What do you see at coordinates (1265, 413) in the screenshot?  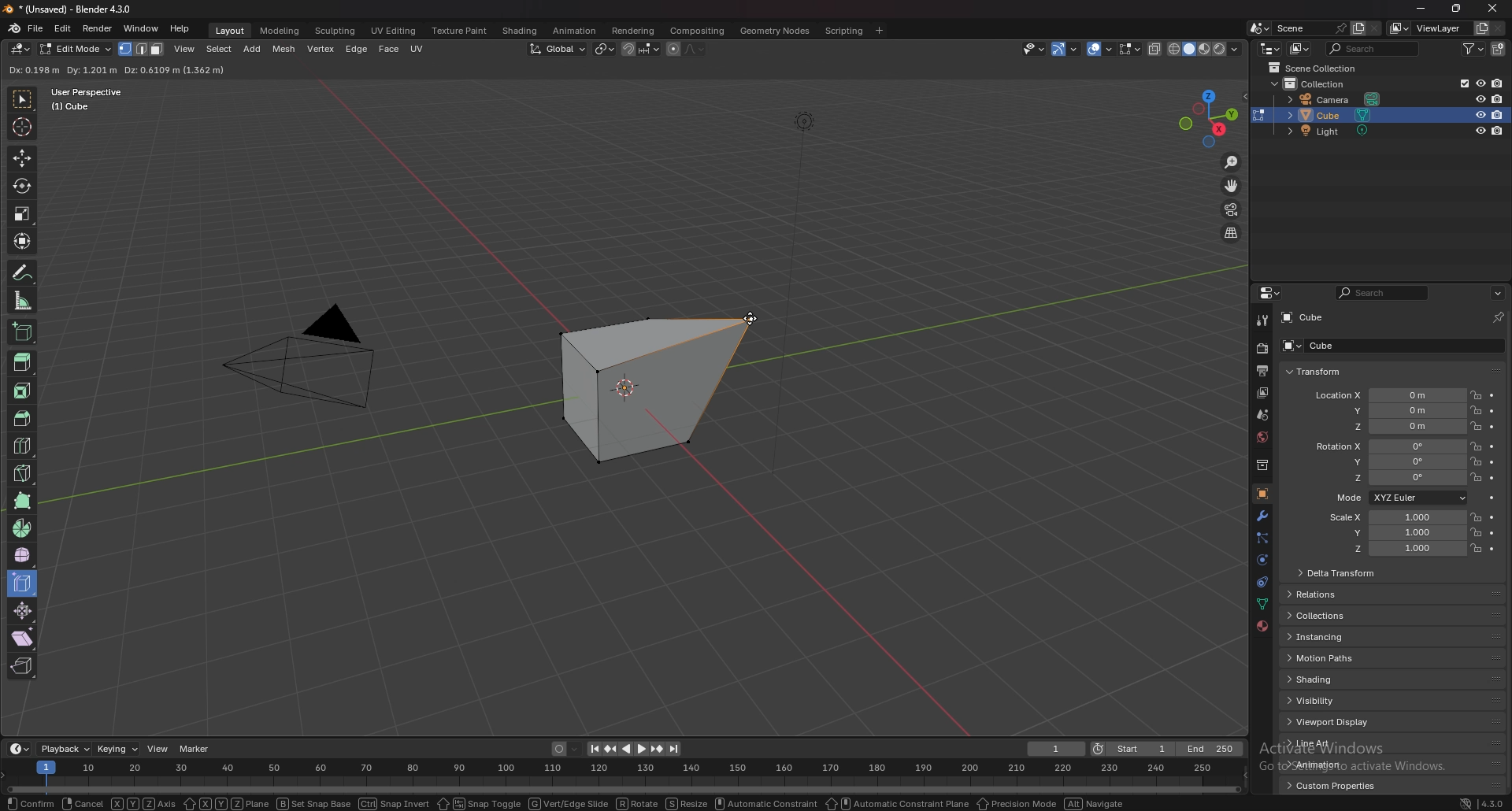 I see `scene` at bounding box center [1265, 413].